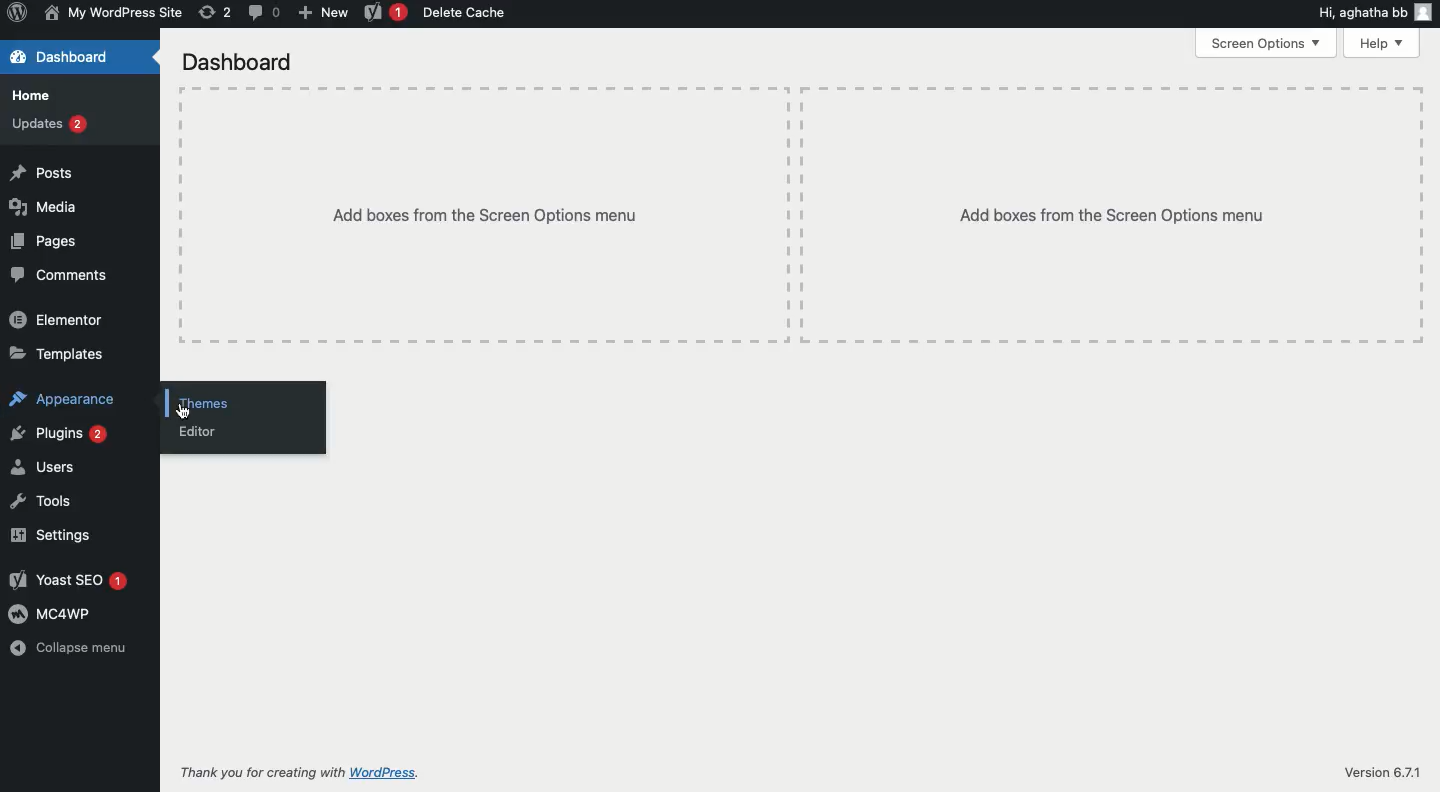 The image size is (1440, 792). I want to click on Templates, so click(57, 355).